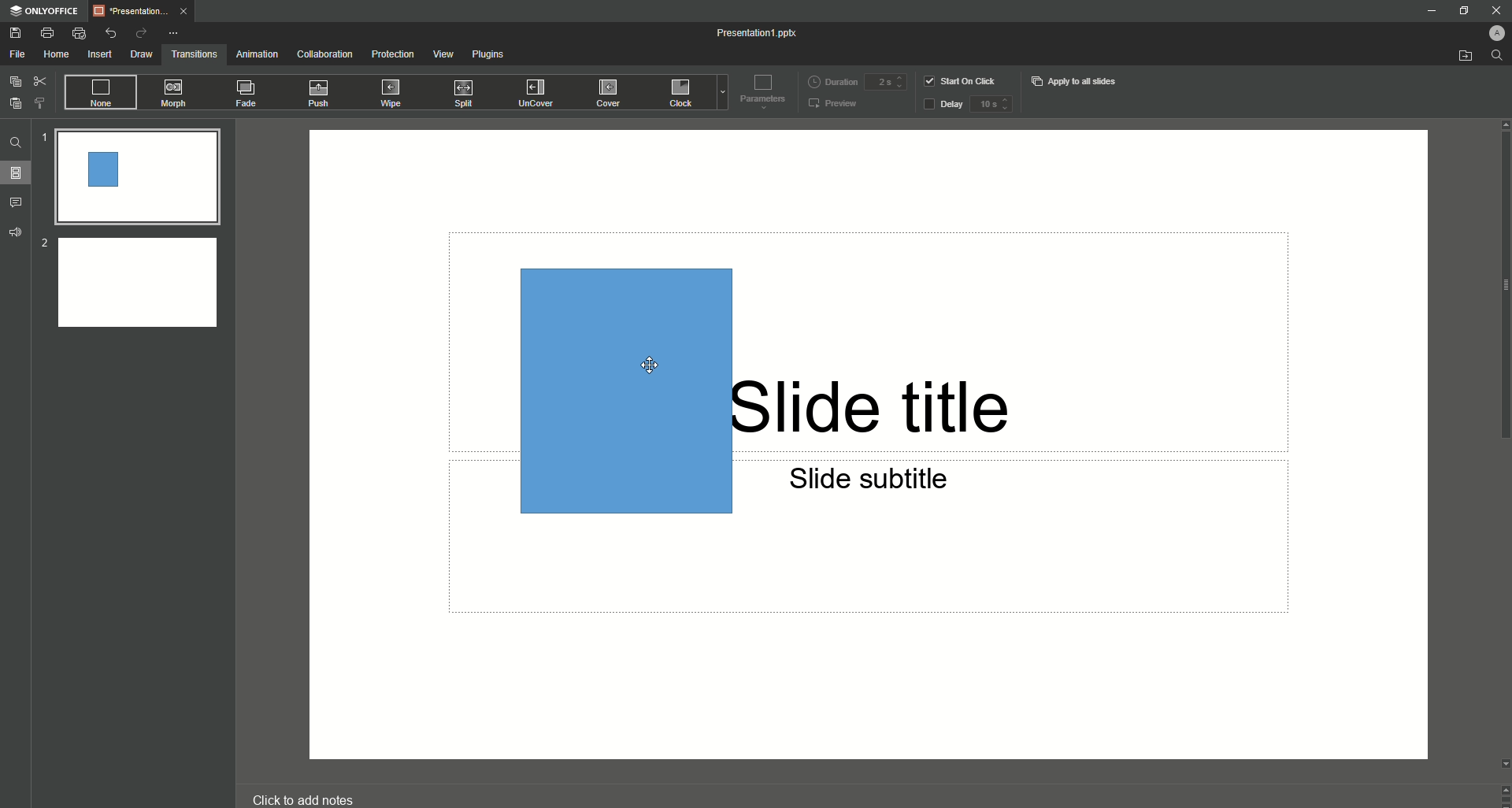 The width and height of the screenshot is (1512, 808). Describe the element at coordinates (258, 54) in the screenshot. I see `Animation` at that location.